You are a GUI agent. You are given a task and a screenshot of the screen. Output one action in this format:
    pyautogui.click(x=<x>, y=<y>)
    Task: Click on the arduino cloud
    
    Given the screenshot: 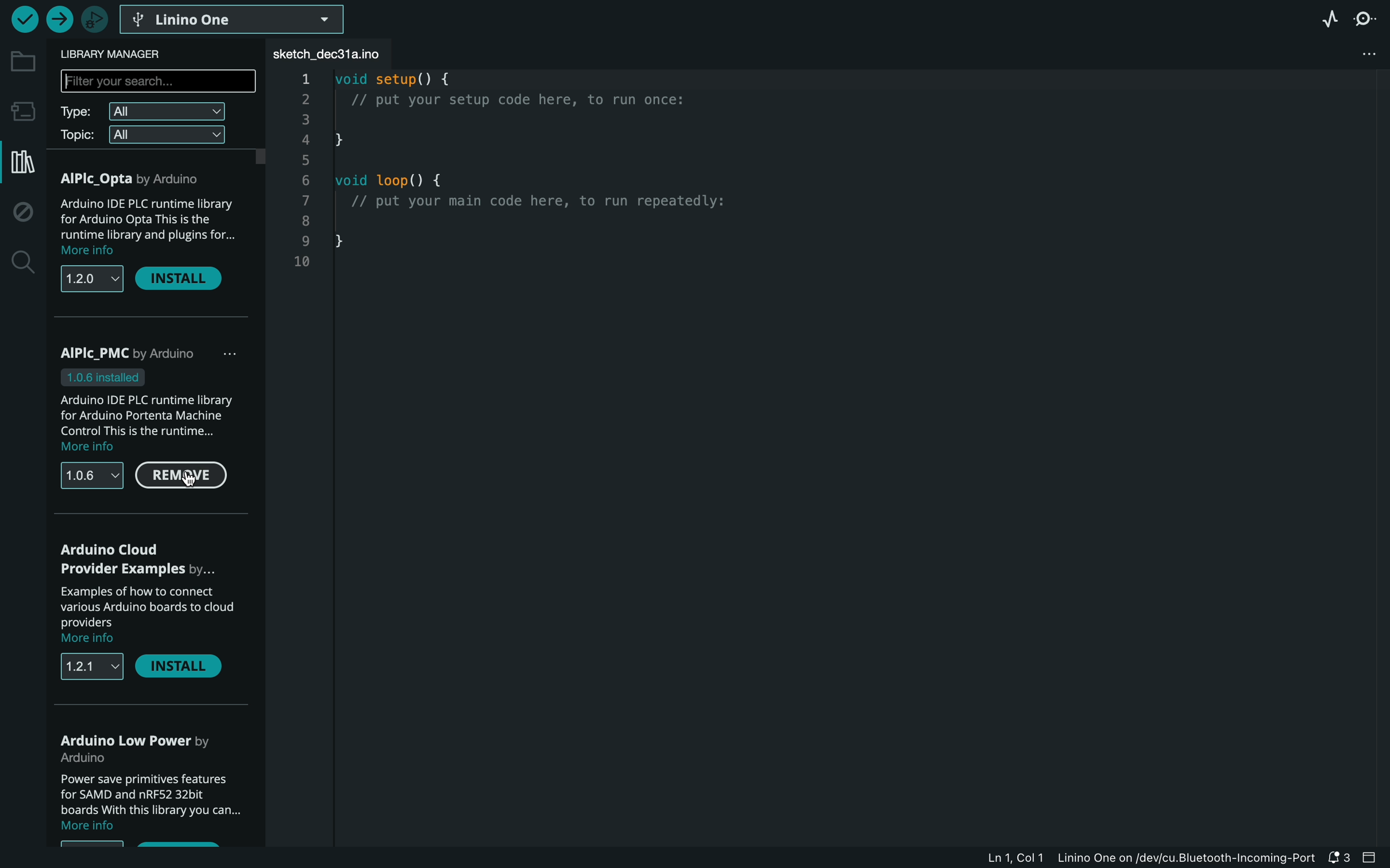 What is the action you would take?
    pyautogui.click(x=144, y=559)
    